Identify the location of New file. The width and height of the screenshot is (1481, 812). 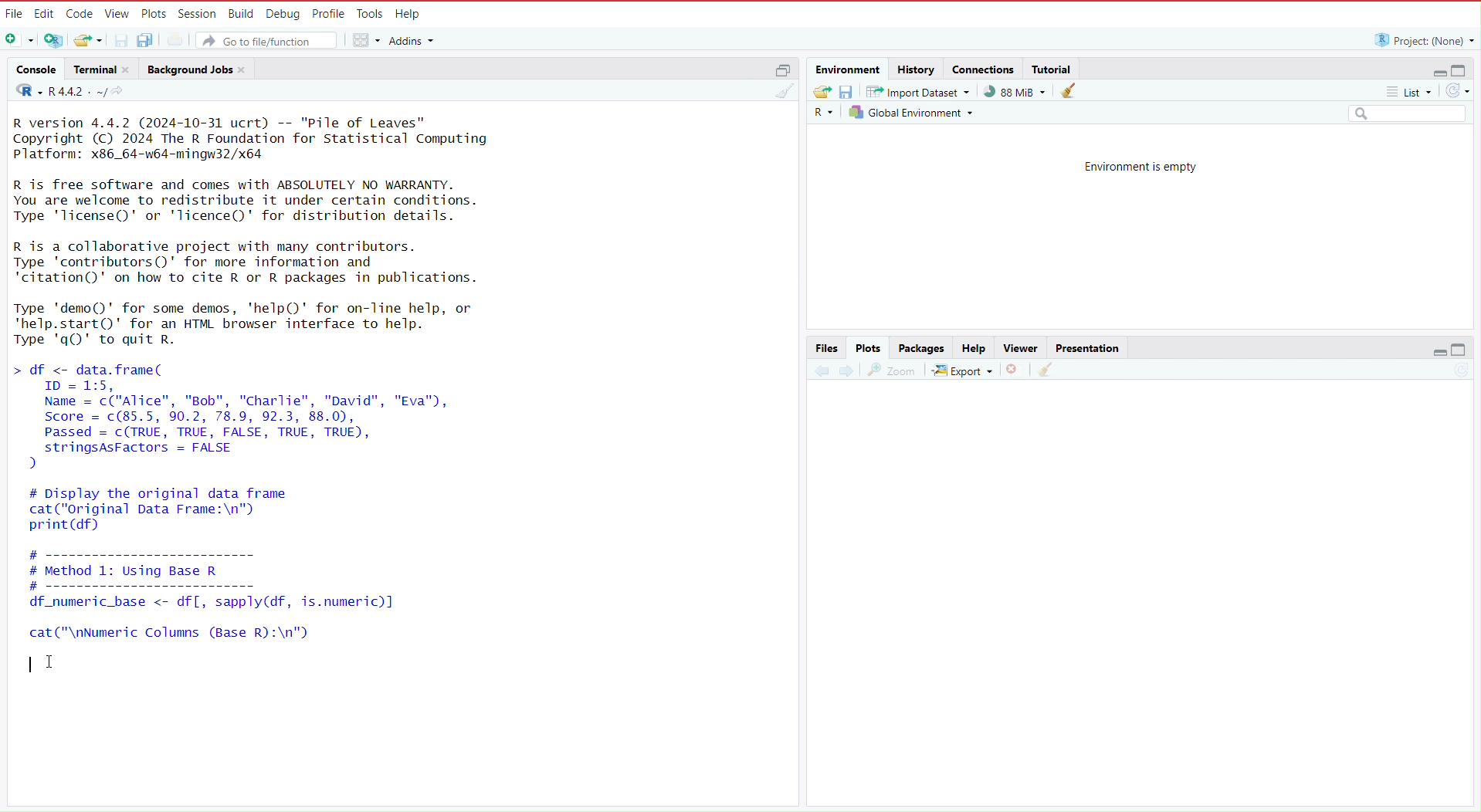
(19, 39).